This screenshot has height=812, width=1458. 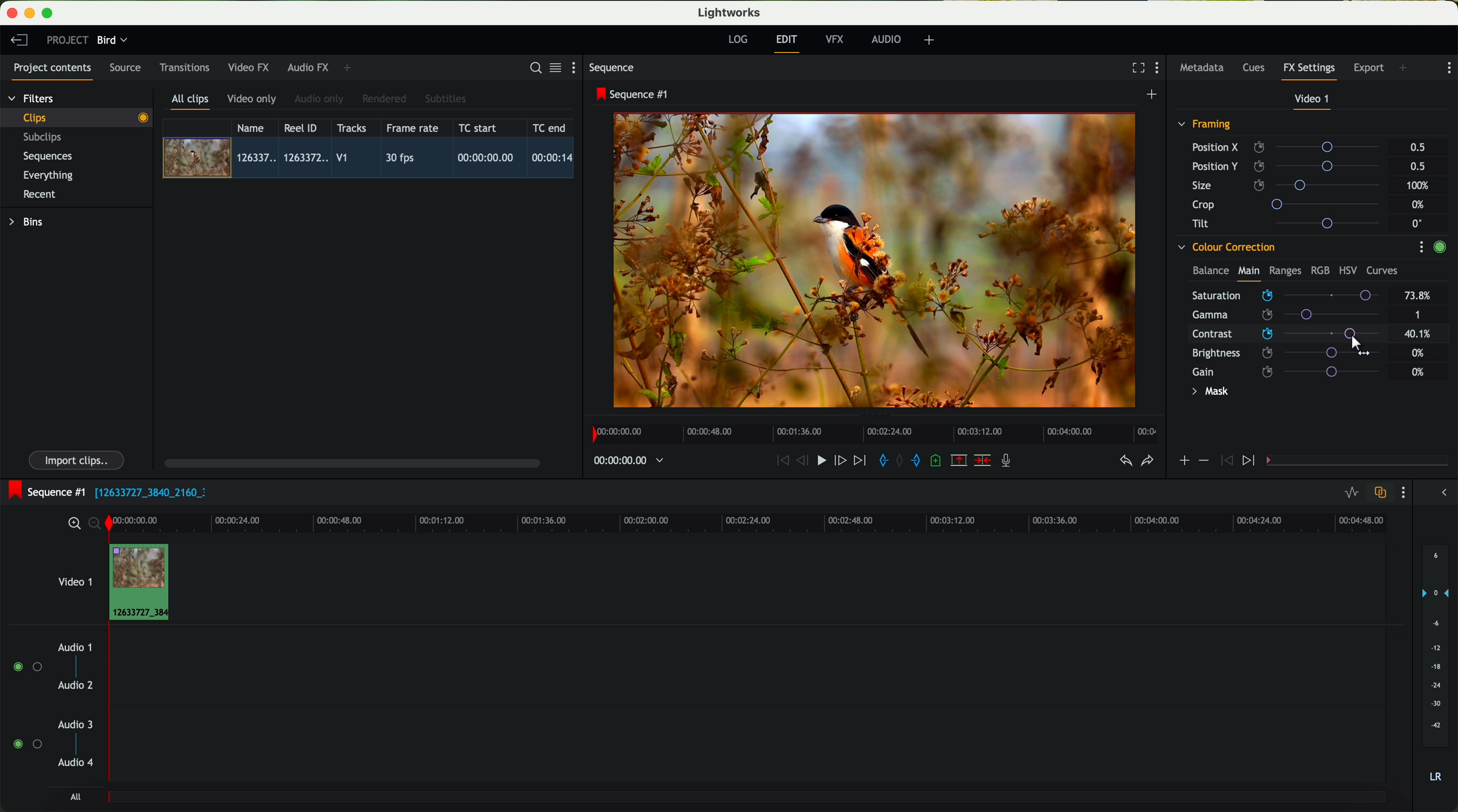 I want to click on add panel, so click(x=350, y=68).